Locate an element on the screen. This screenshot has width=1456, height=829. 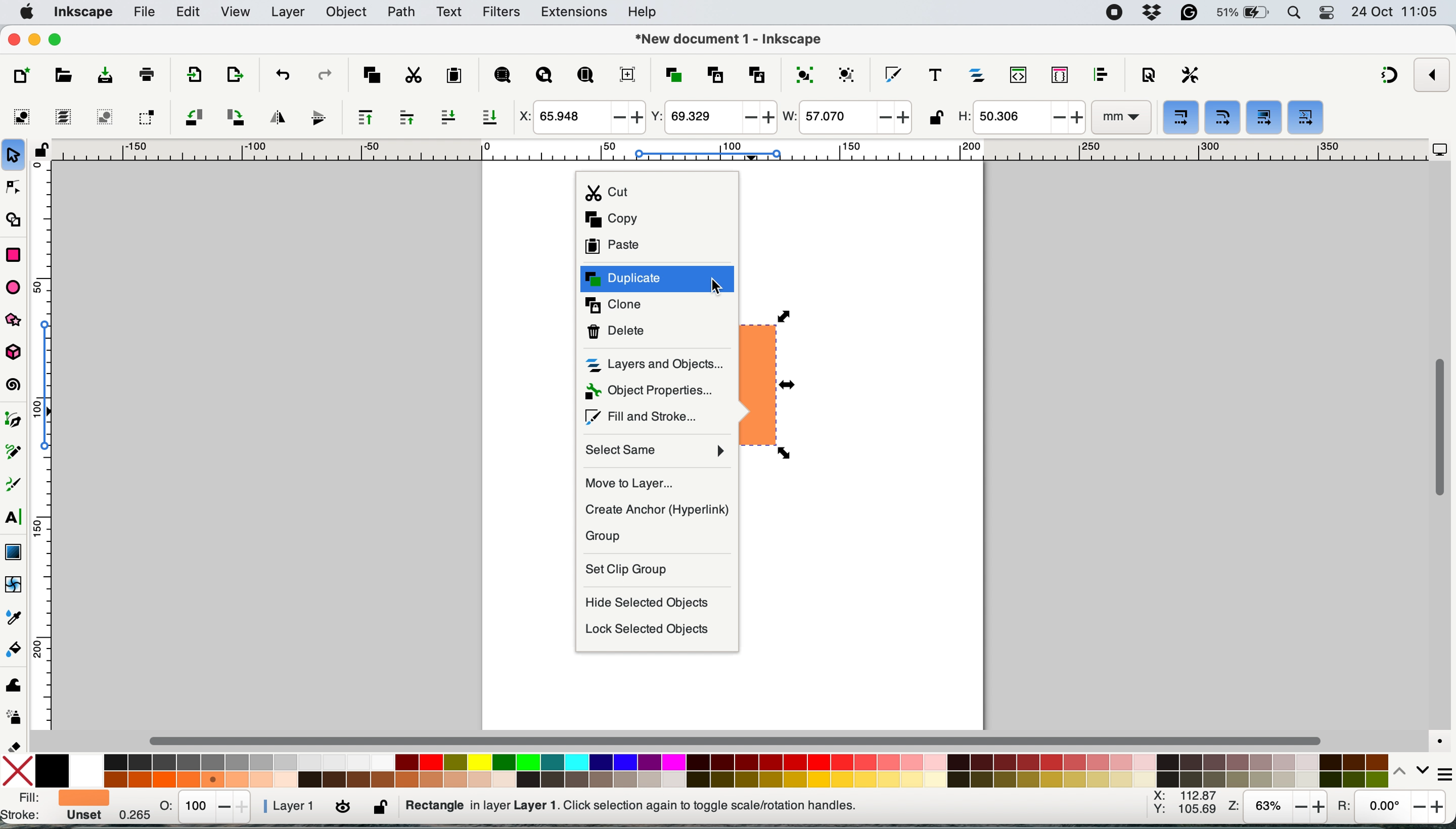
when scaling rectangles scale the radii of rounded corners is located at coordinates (1221, 118).